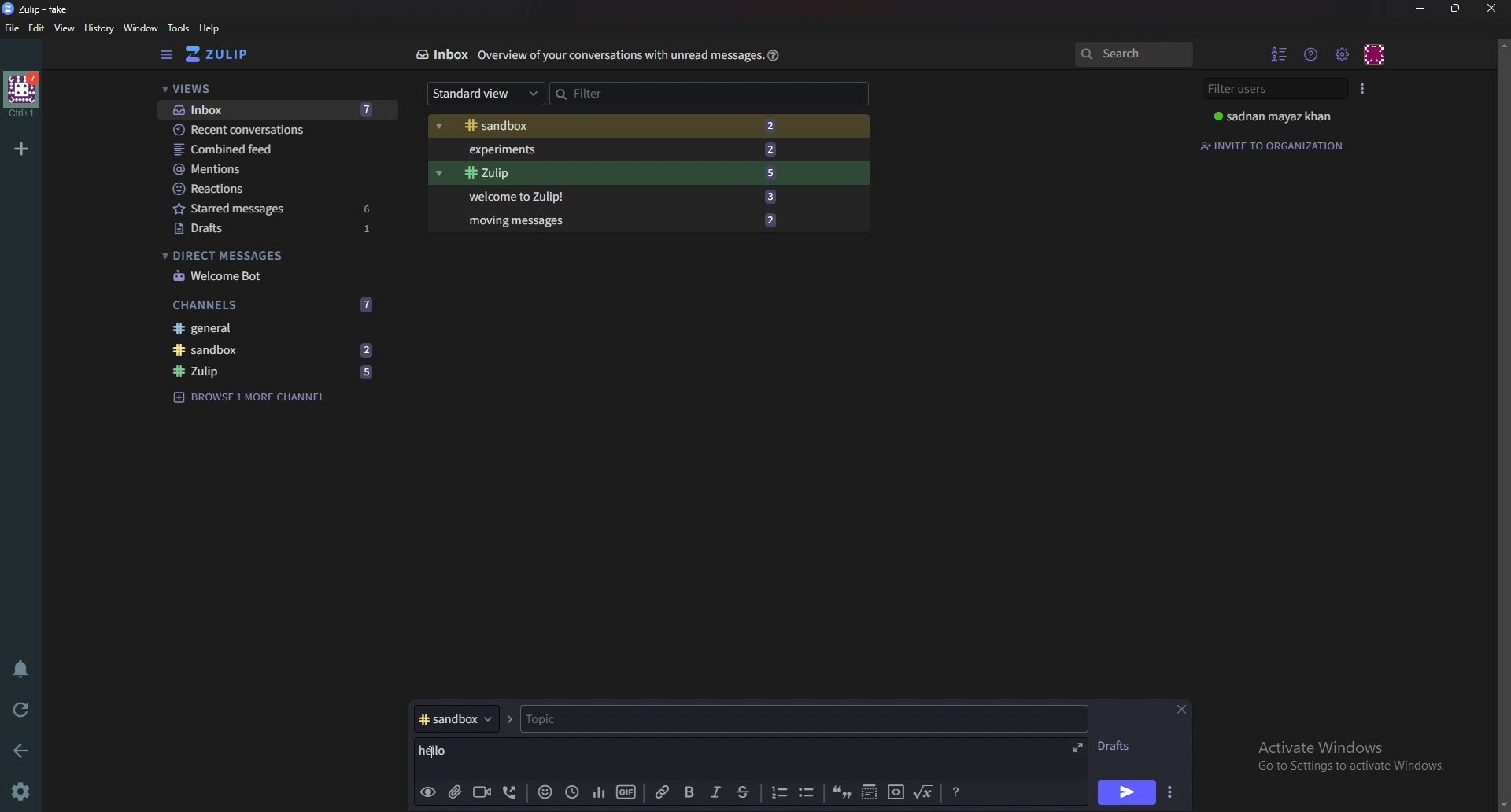  What do you see at coordinates (64, 29) in the screenshot?
I see `View` at bounding box center [64, 29].